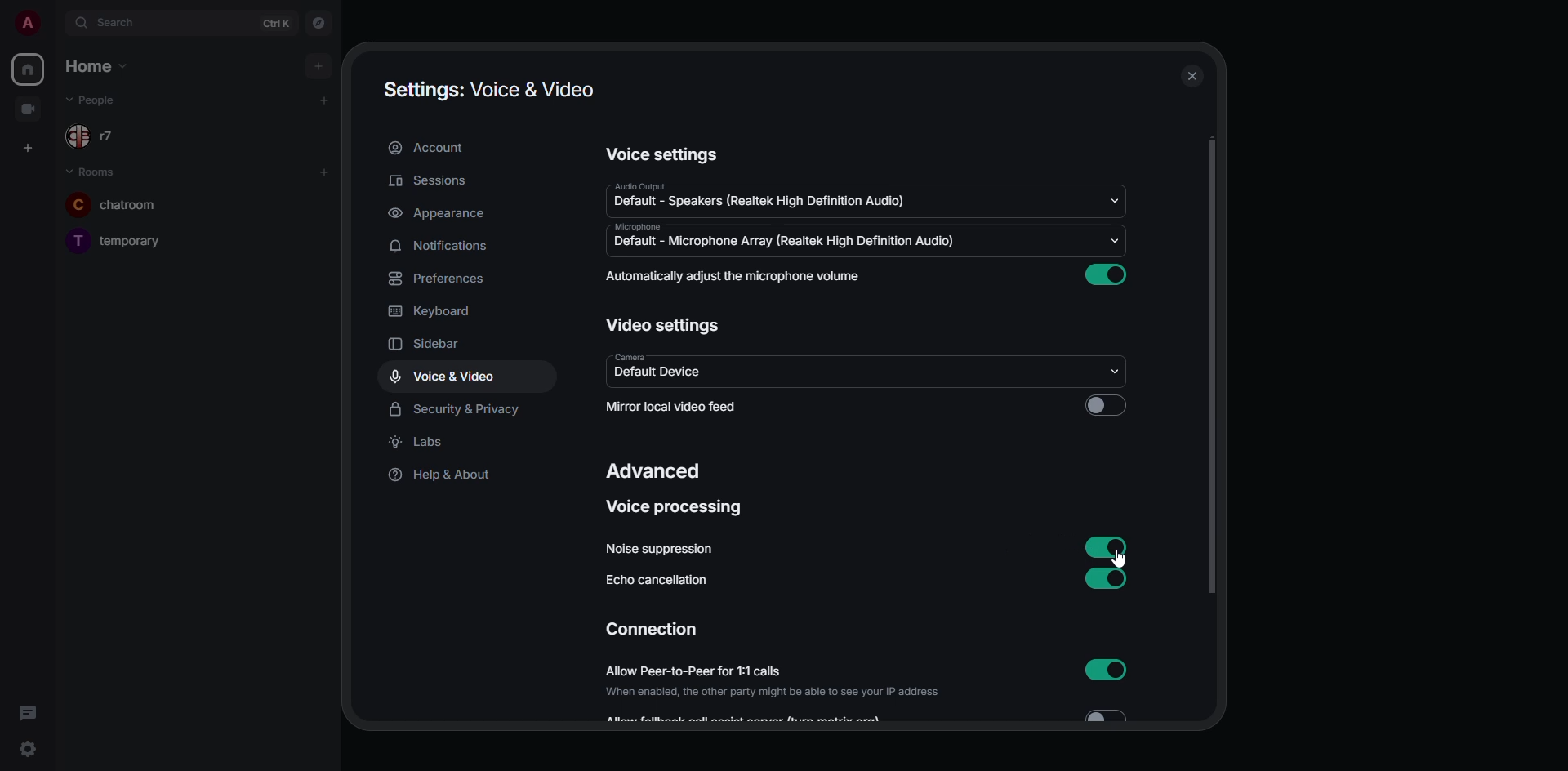  Describe the element at coordinates (327, 100) in the screenshot. I see `add` at that location.